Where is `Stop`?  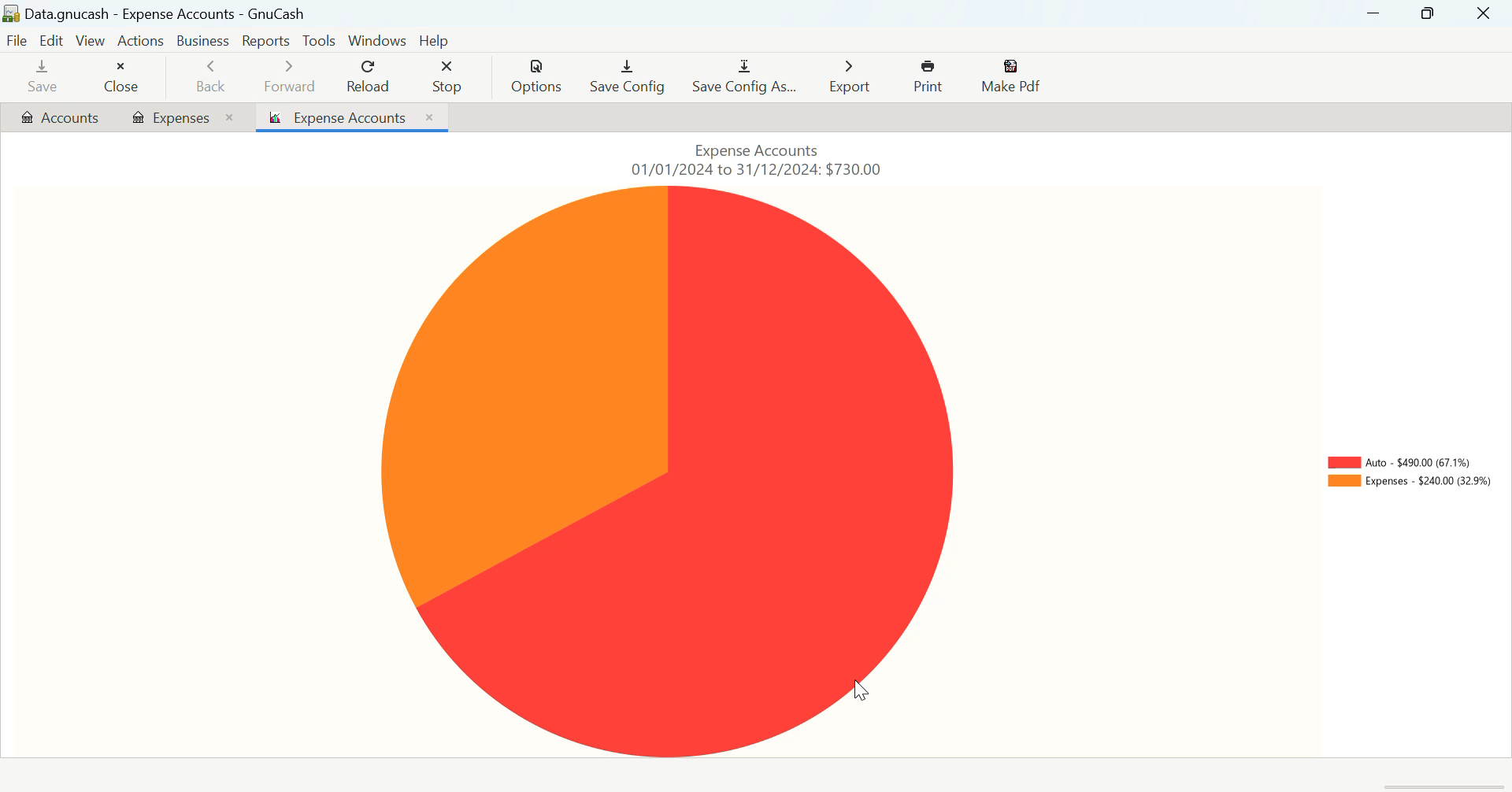
Stop is located at coordinates (452, 79).